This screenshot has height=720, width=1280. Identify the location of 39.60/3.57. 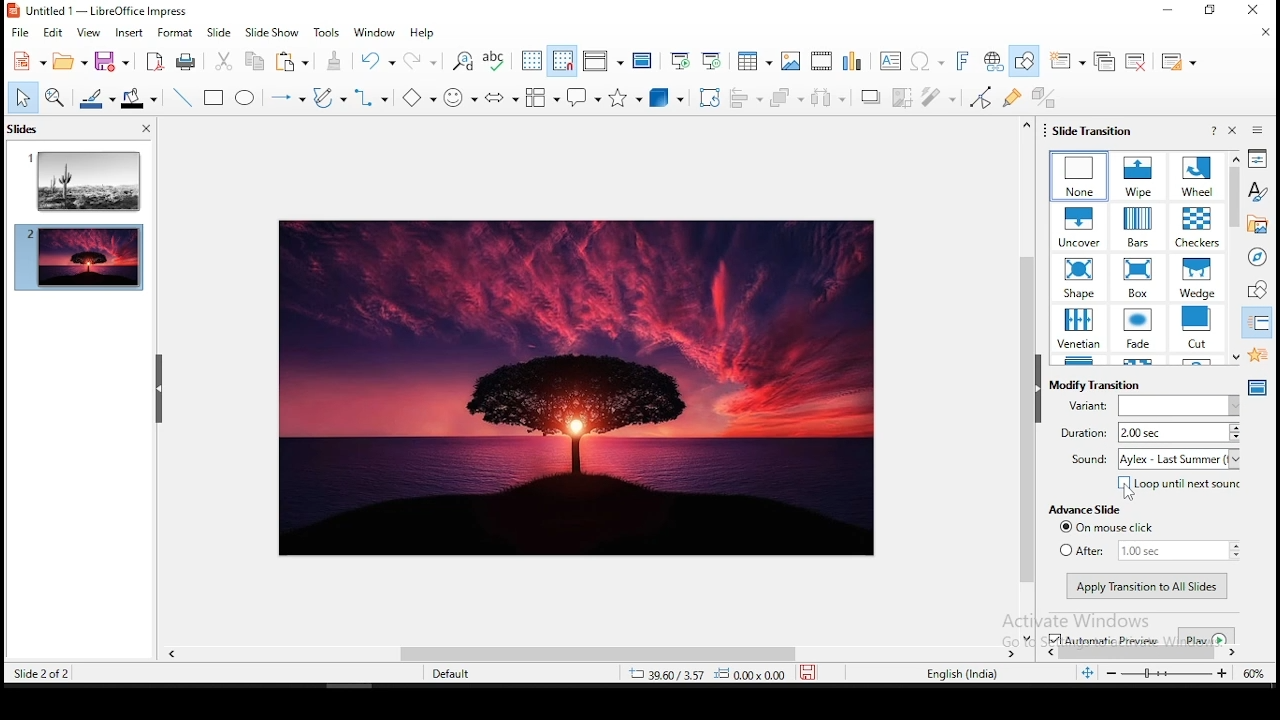
(657, 676).